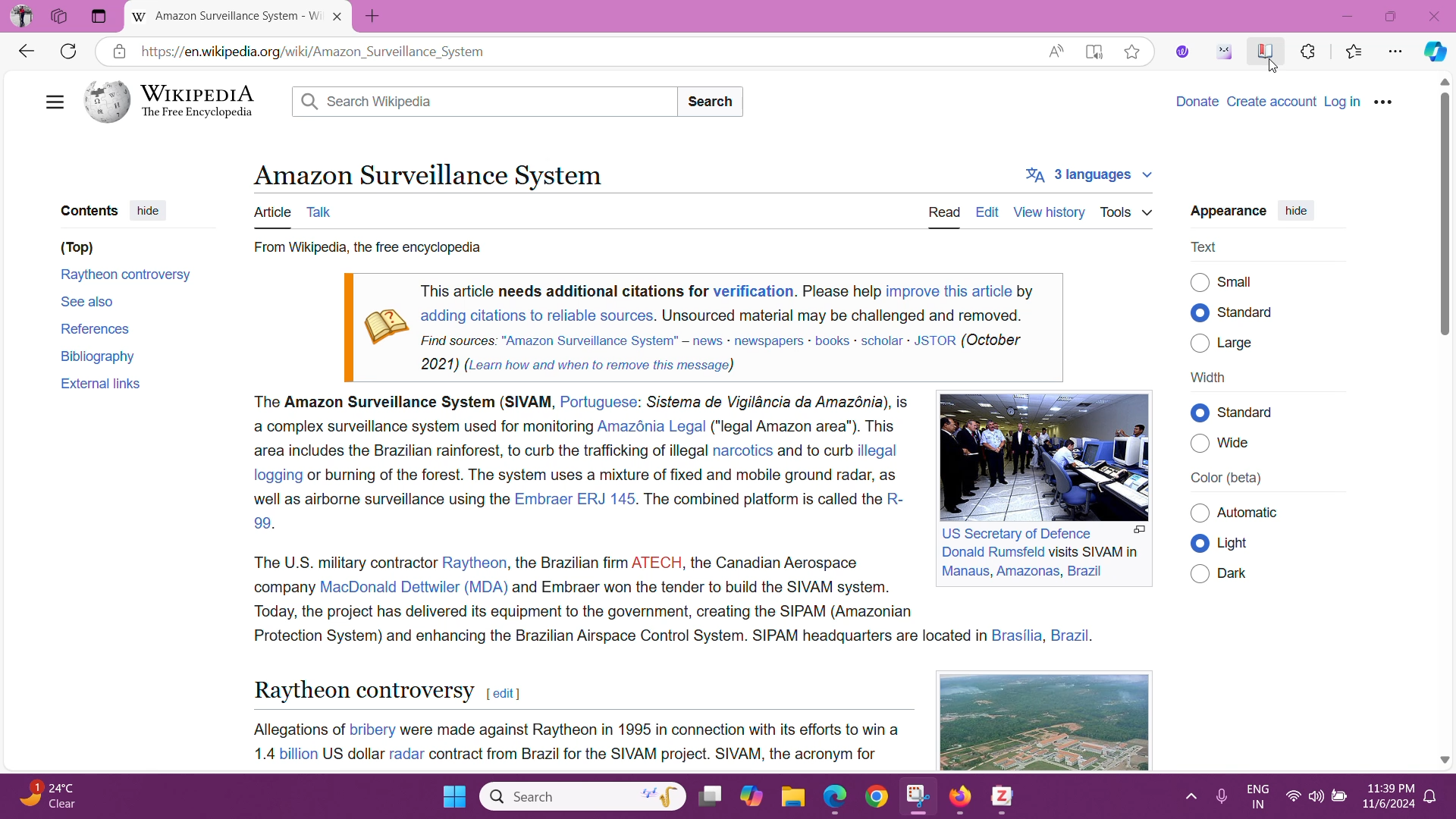 The height and width of the screenshot is (819, 1456). What do you see at coordinates (1227, 479) in the screenshot?
I see `Color (beta)` at bounding box center [1227, 479].